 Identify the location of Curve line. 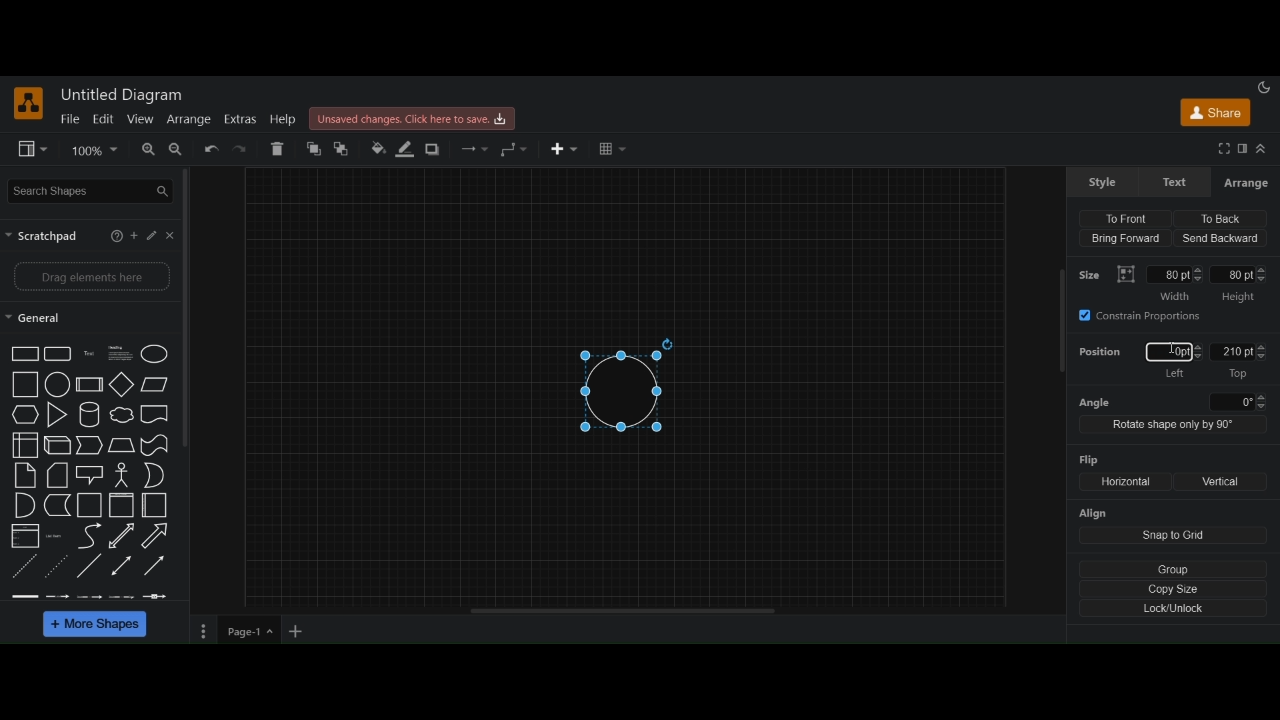
(89, 536).